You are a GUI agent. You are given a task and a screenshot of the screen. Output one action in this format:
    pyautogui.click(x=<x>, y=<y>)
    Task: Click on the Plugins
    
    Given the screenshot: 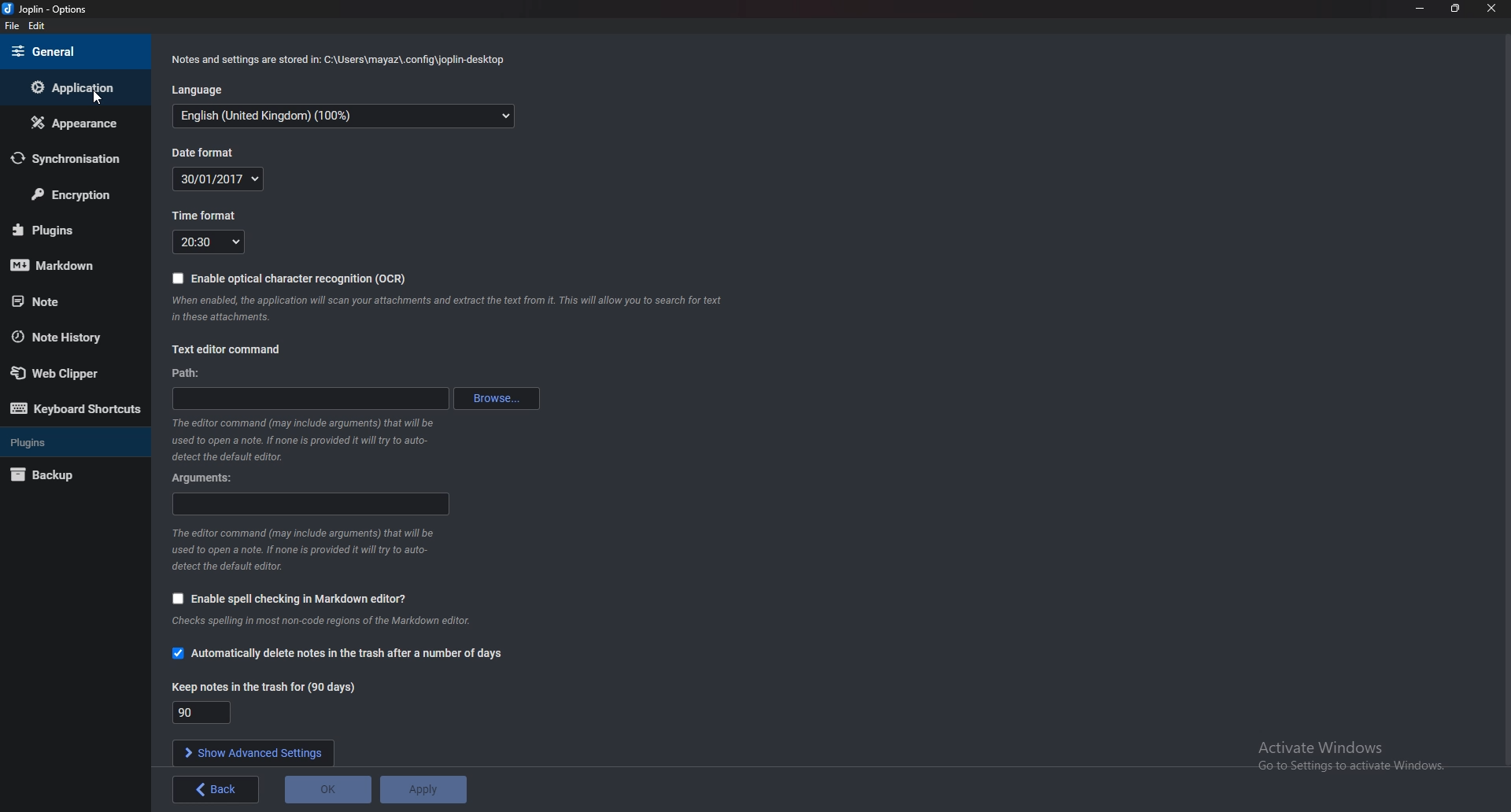 What is the action you would take?
    pyautogui.click(x=67, y=442)
    